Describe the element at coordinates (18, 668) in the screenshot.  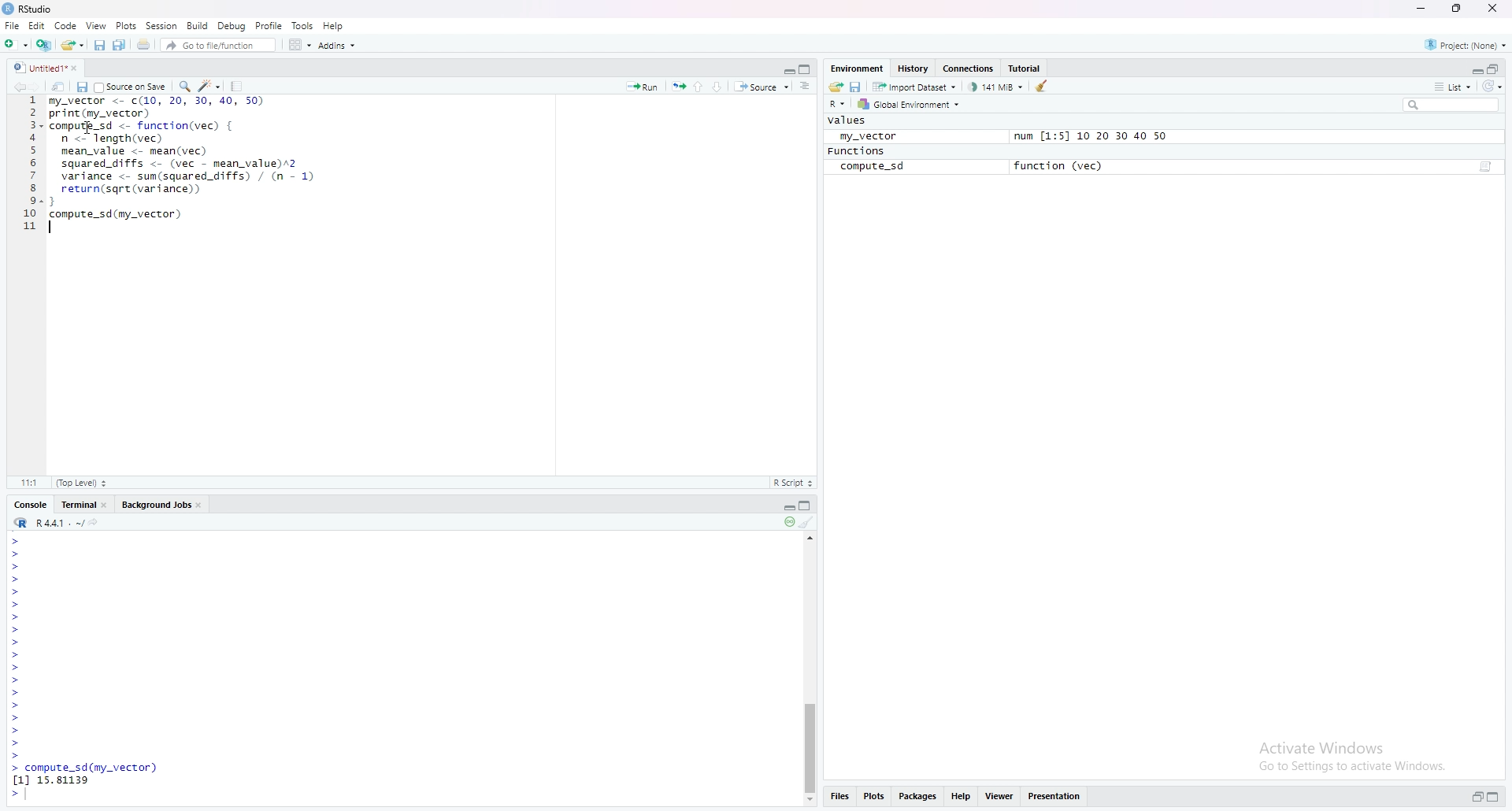
I see `Prompt cursor` at that location.